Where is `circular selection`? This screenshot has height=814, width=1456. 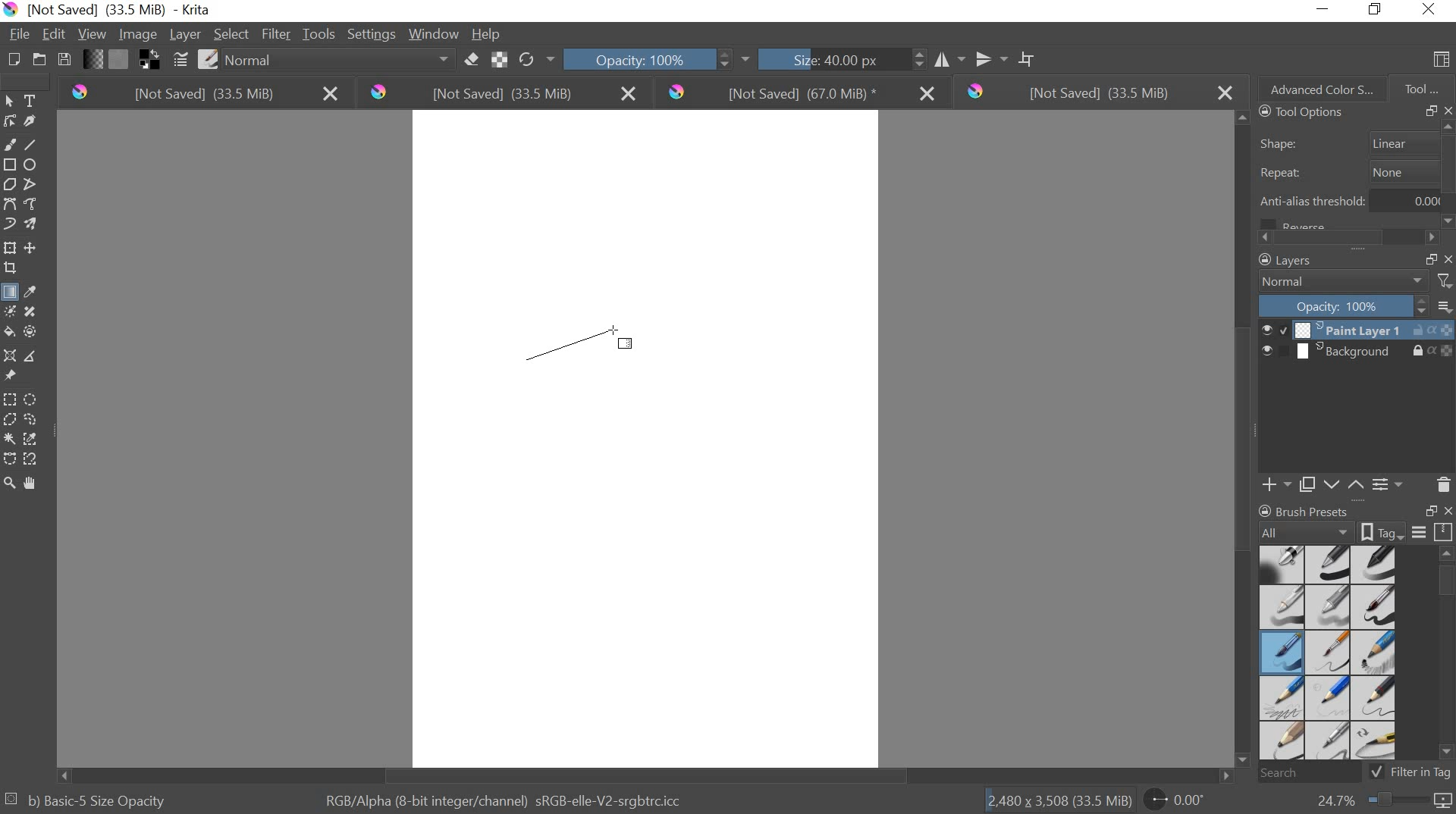 circular selection is located at coordinates (34, 398).